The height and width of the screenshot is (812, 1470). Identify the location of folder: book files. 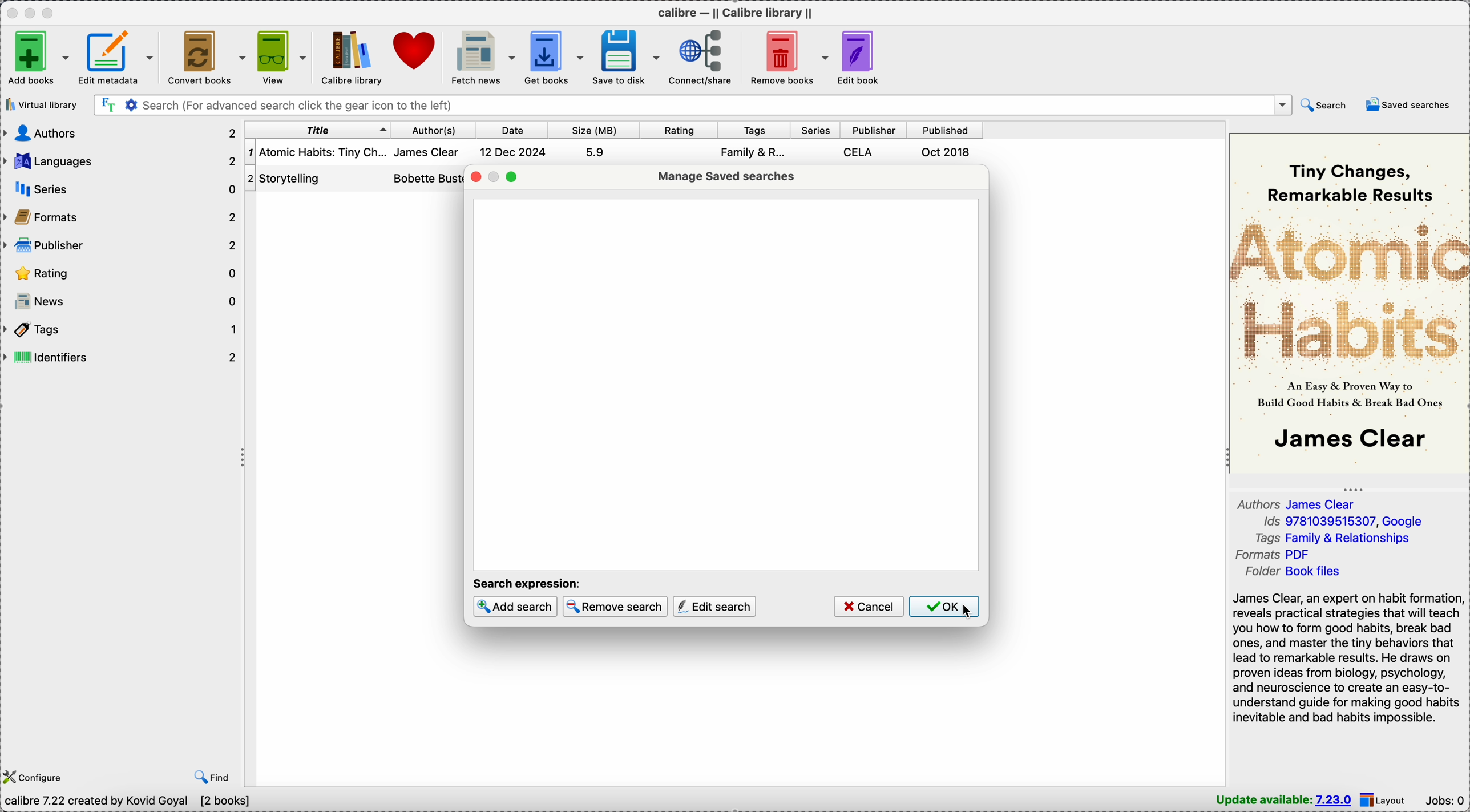
(1297, 572).